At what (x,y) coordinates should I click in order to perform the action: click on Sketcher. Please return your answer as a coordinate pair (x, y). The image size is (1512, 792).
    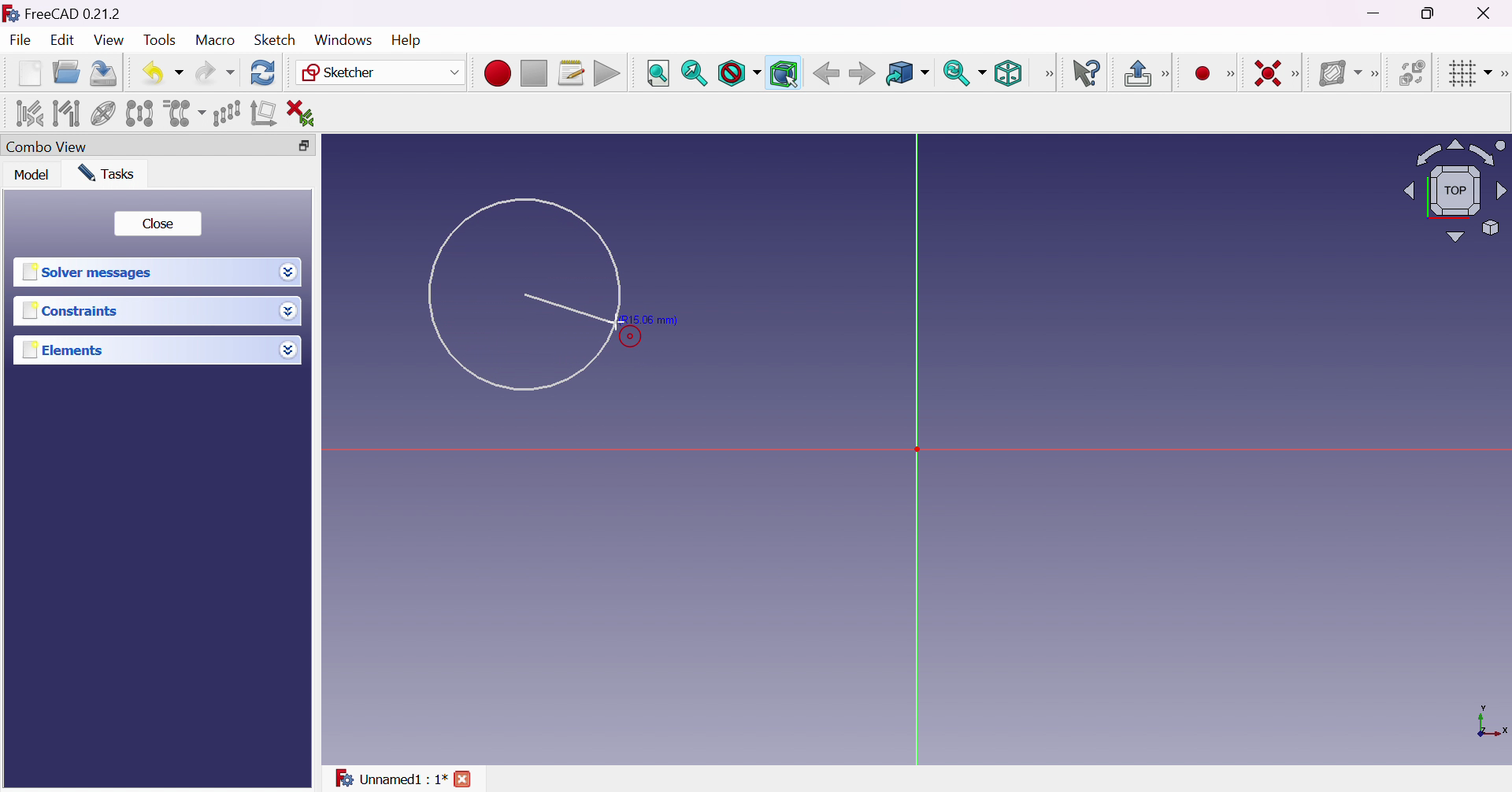
    Looking at the image, I should click on (378, 72).